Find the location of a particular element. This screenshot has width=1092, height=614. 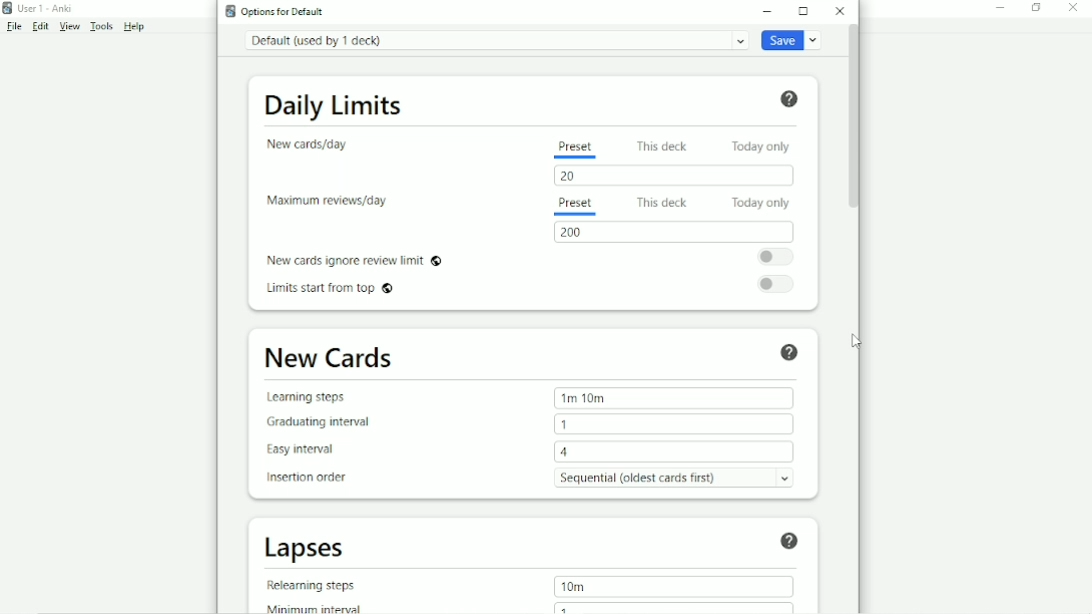

Help is located at coordinates (135, 27).